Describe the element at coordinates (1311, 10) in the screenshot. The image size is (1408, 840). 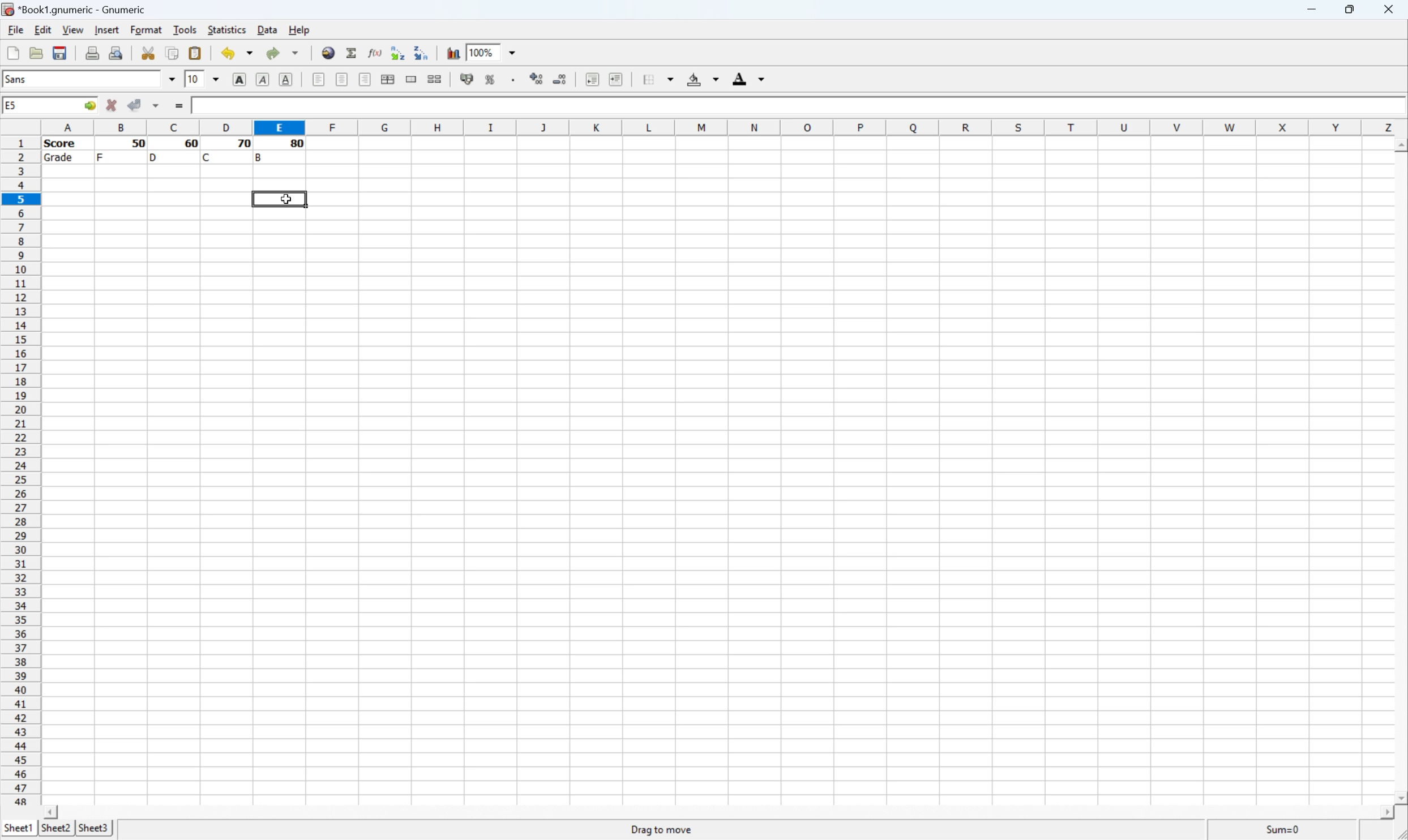
I see `Minimize` at that location.